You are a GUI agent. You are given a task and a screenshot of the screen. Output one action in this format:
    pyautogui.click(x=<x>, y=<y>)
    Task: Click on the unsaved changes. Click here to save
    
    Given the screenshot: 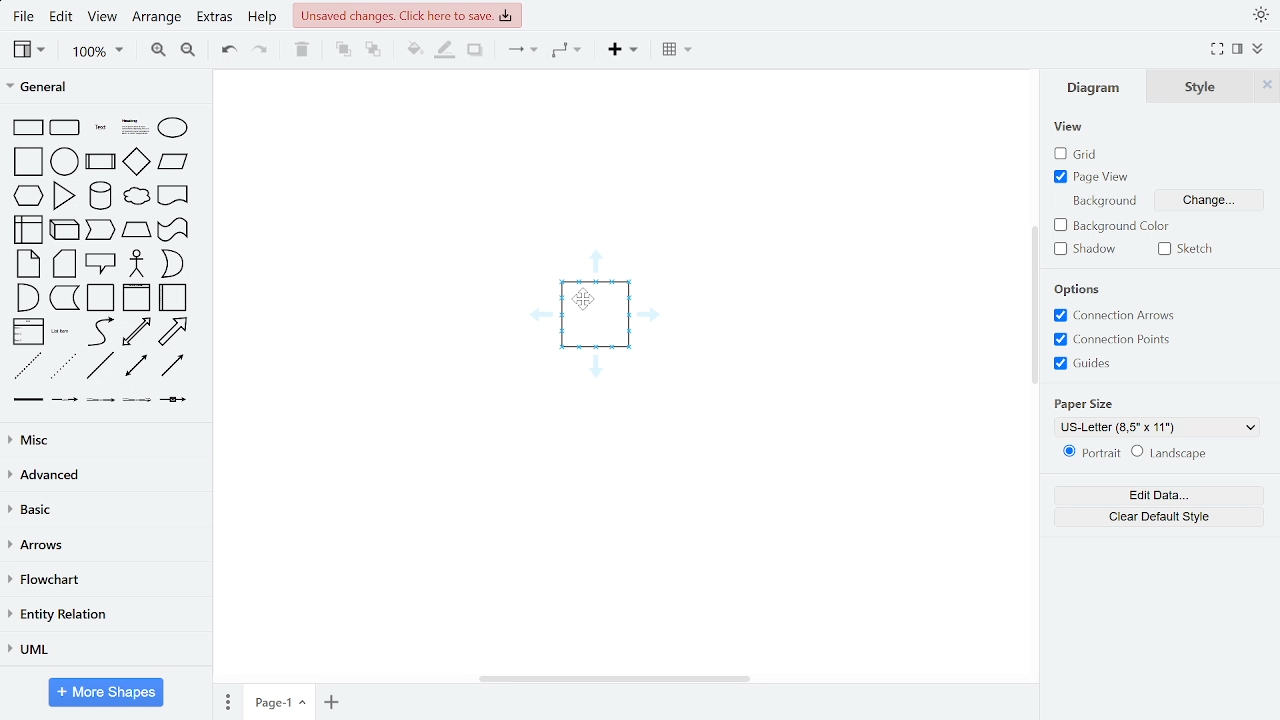 What is the action you would take?
    pyautogui.click(x=410, y=16)
    